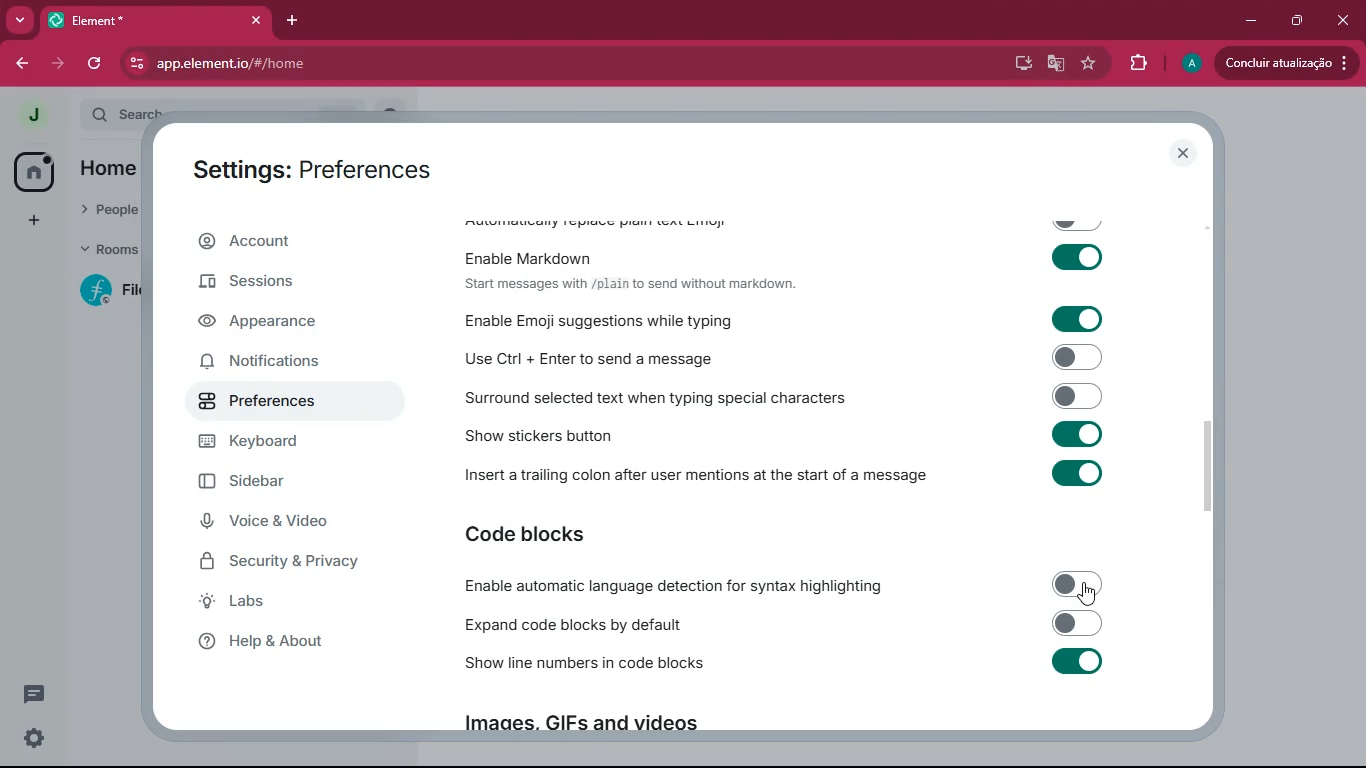 The height and width of the screenshot is (768, 1366). Describe the element at coordinates (1088, 65) in the screenshot. I see `favourite` at that location.